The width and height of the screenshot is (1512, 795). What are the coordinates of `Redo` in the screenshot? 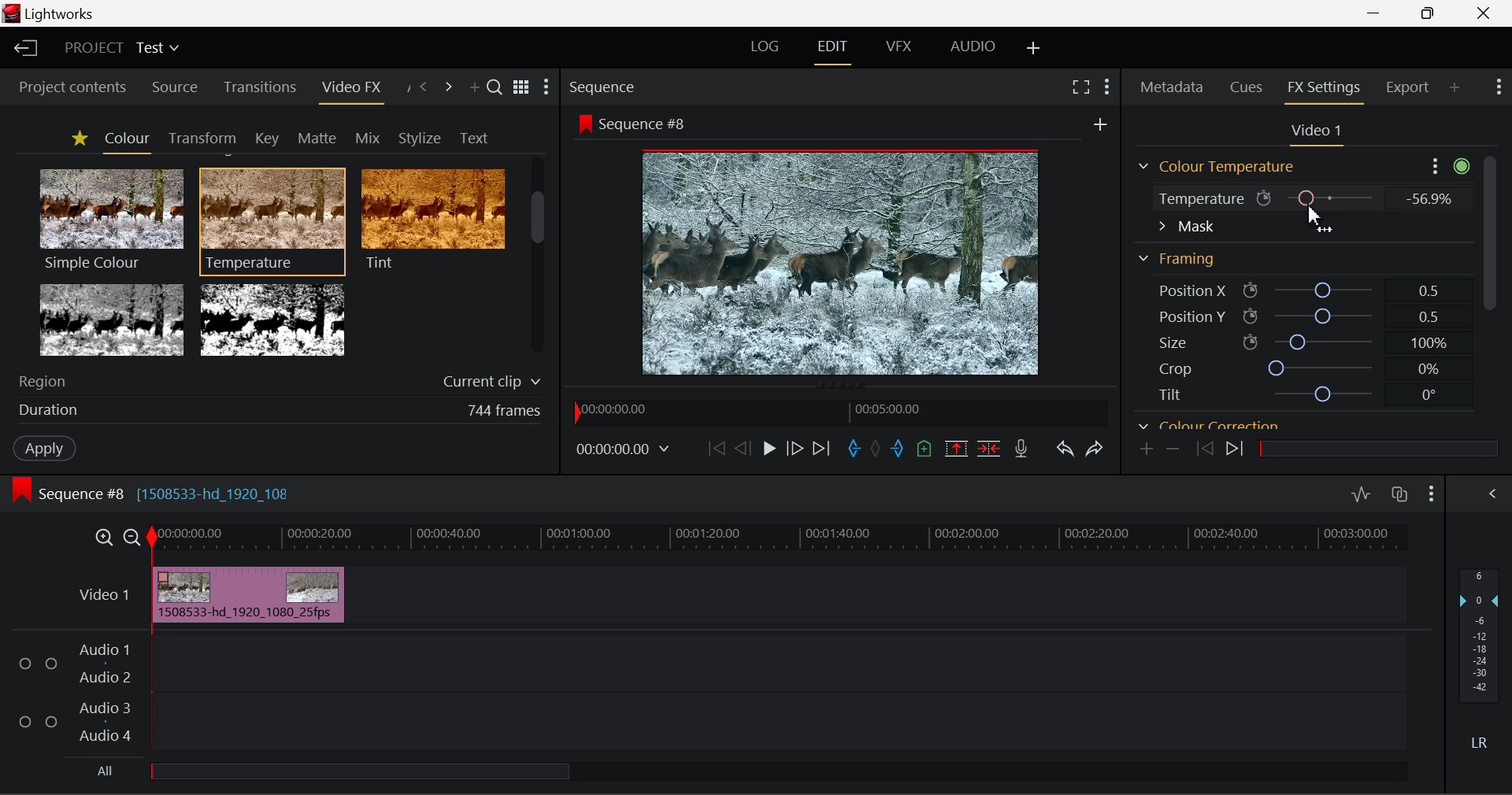 It's located at (1098, 449).